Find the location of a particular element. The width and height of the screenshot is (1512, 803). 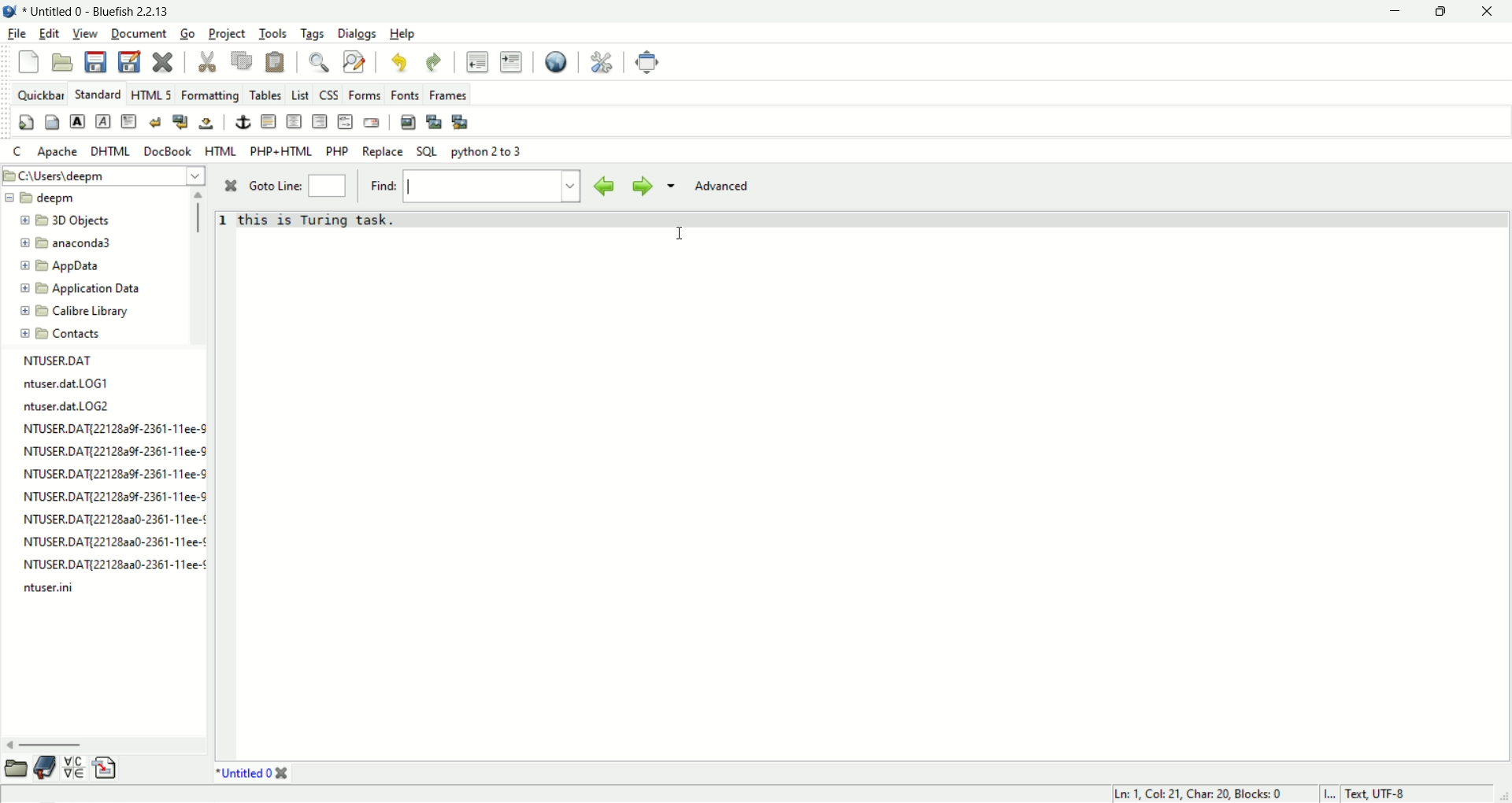

close is located at coordinates (282, 774).